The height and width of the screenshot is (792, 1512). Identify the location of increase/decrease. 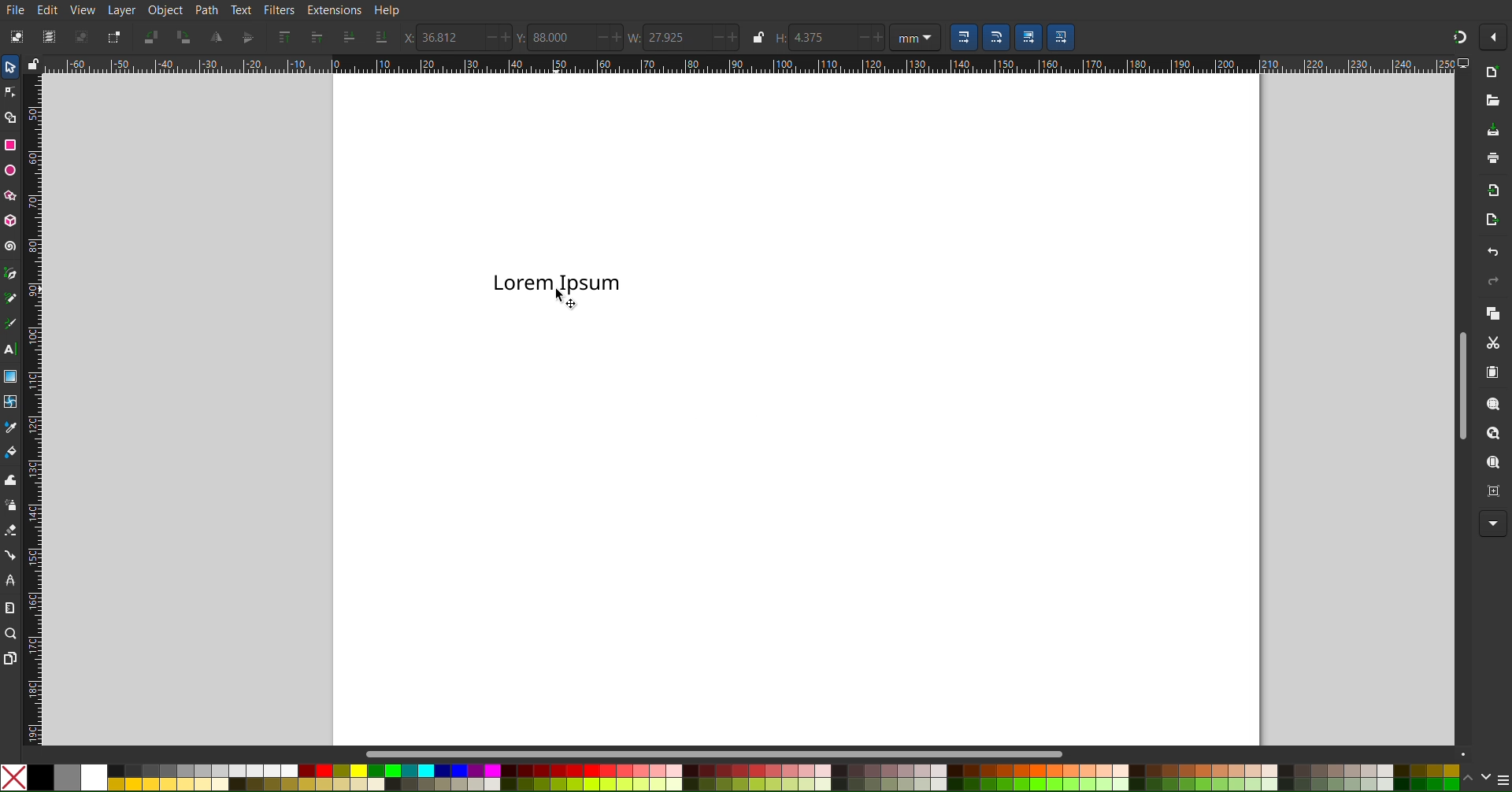
(496, 37).